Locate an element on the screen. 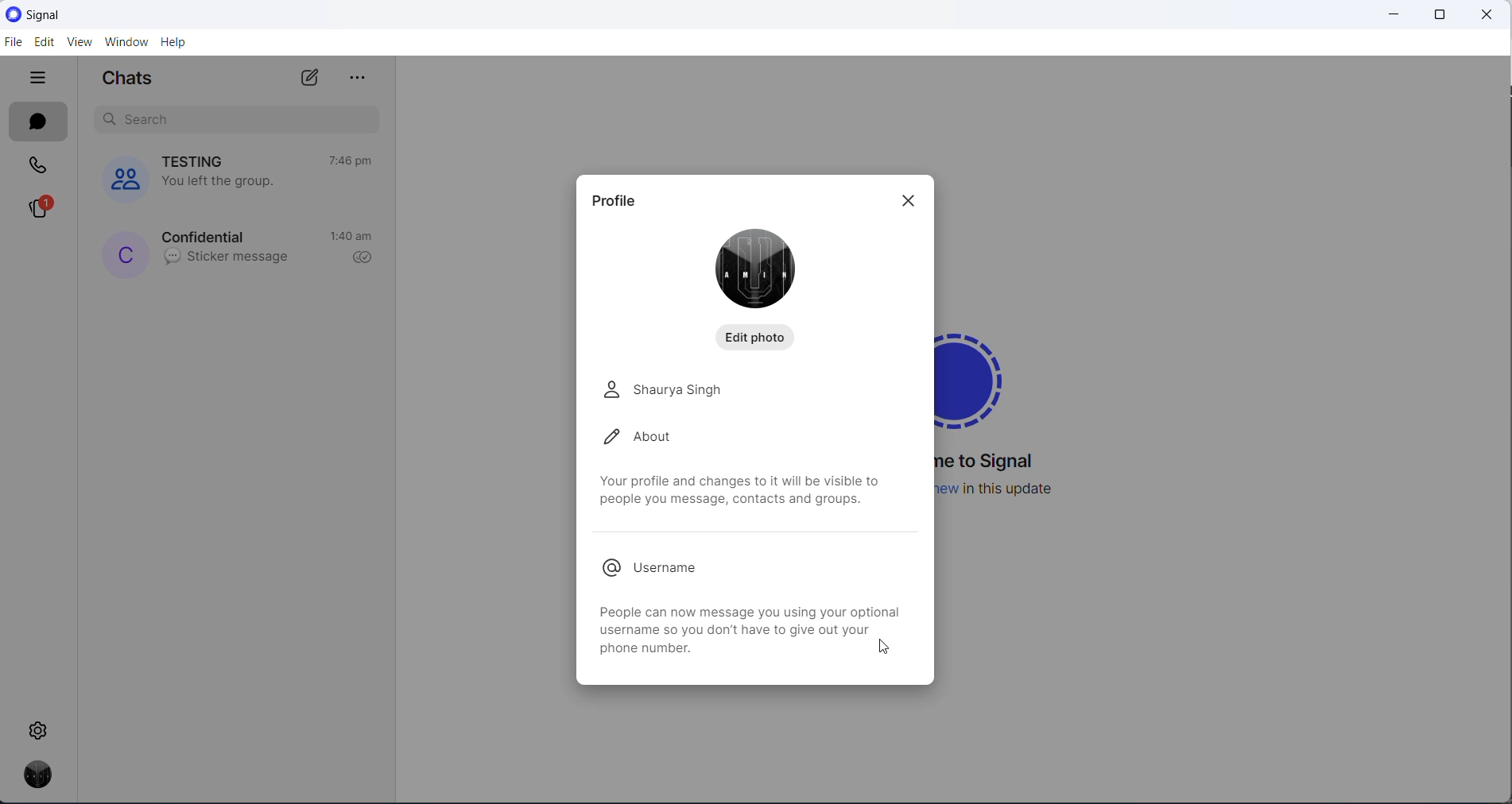  search chat is located at coordinates (242, 121).